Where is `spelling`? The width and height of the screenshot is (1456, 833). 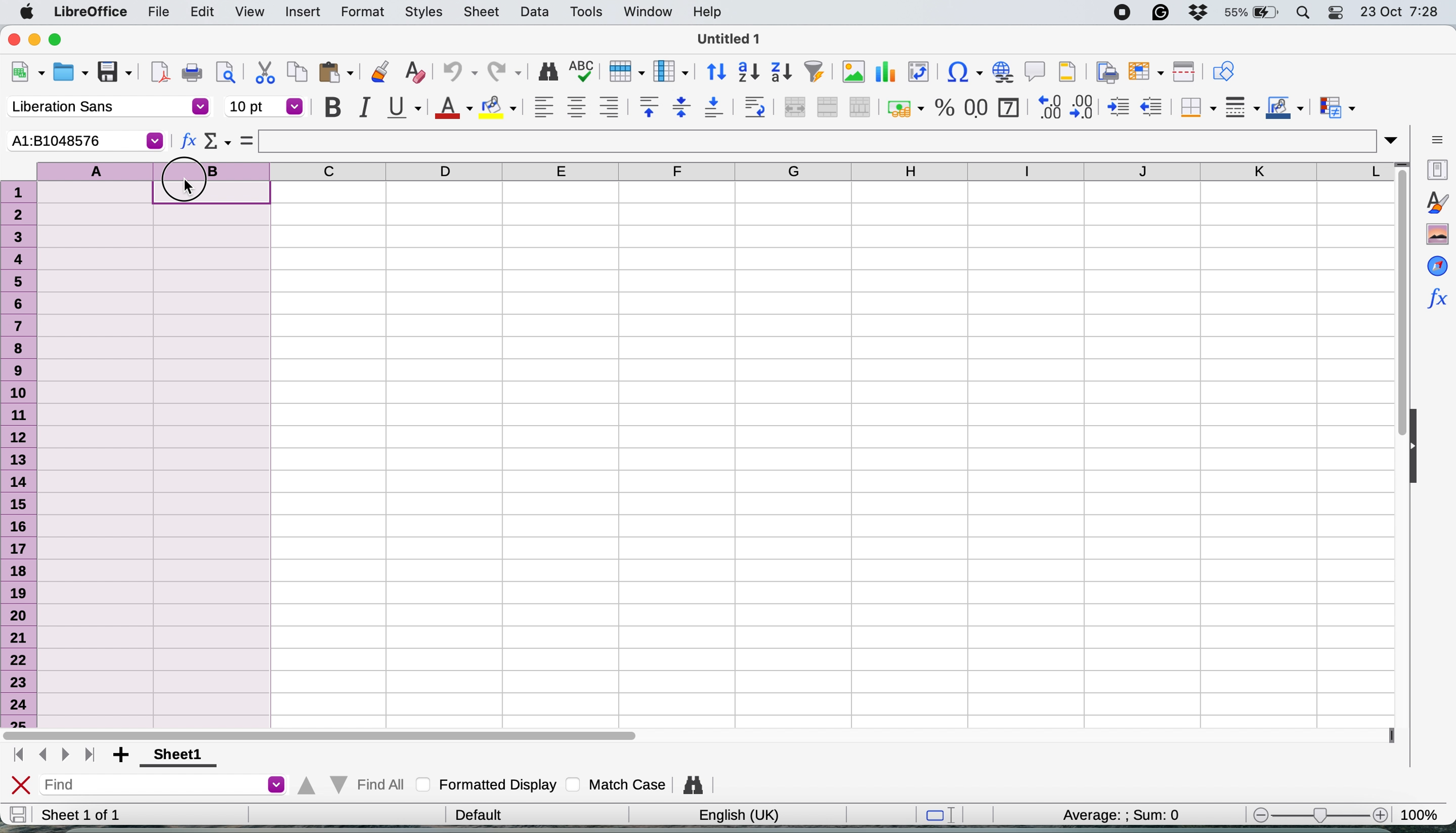
spelling is located at coordinates (582, 71).